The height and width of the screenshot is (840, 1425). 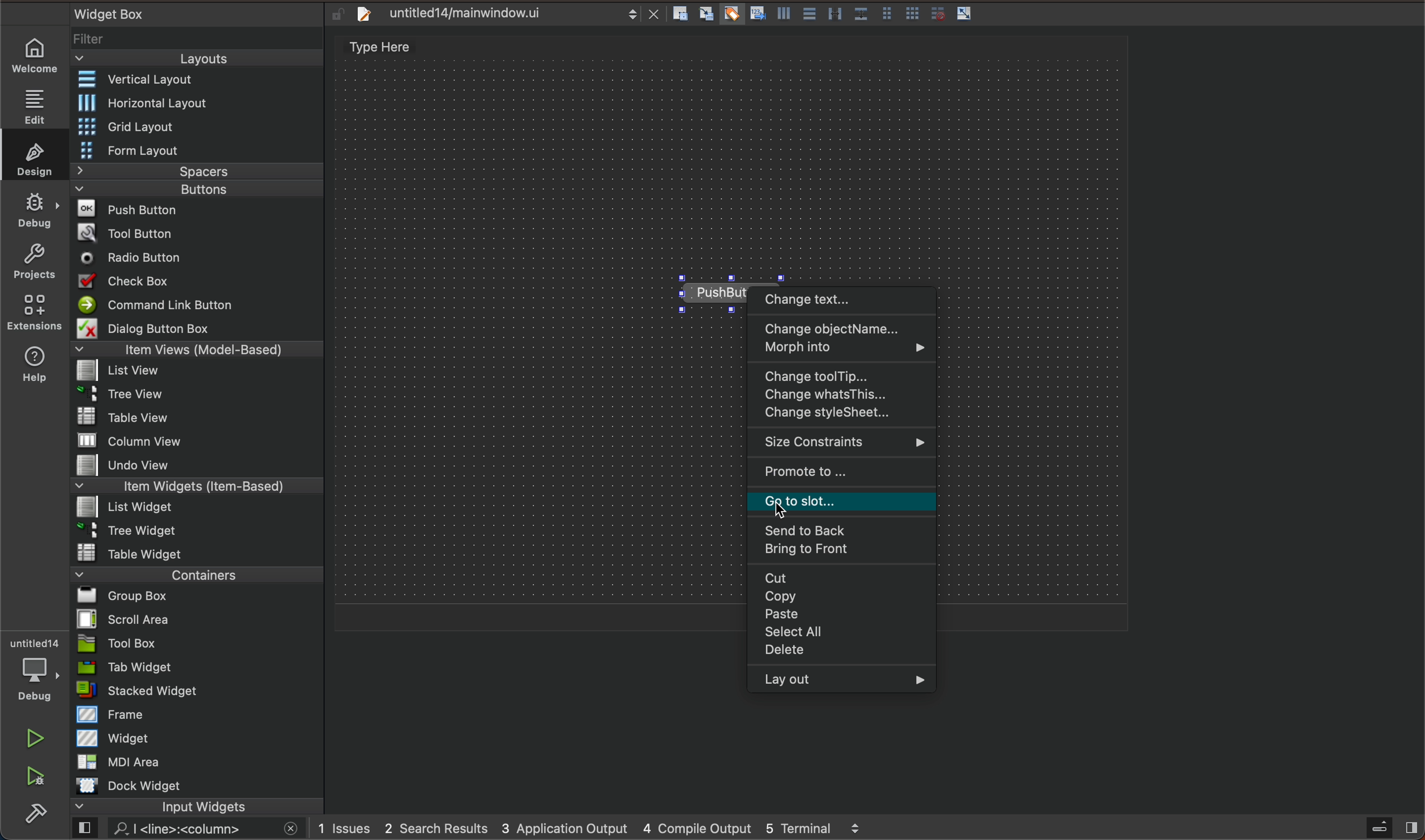 I want to click on projects, so click(x=33, y=260).